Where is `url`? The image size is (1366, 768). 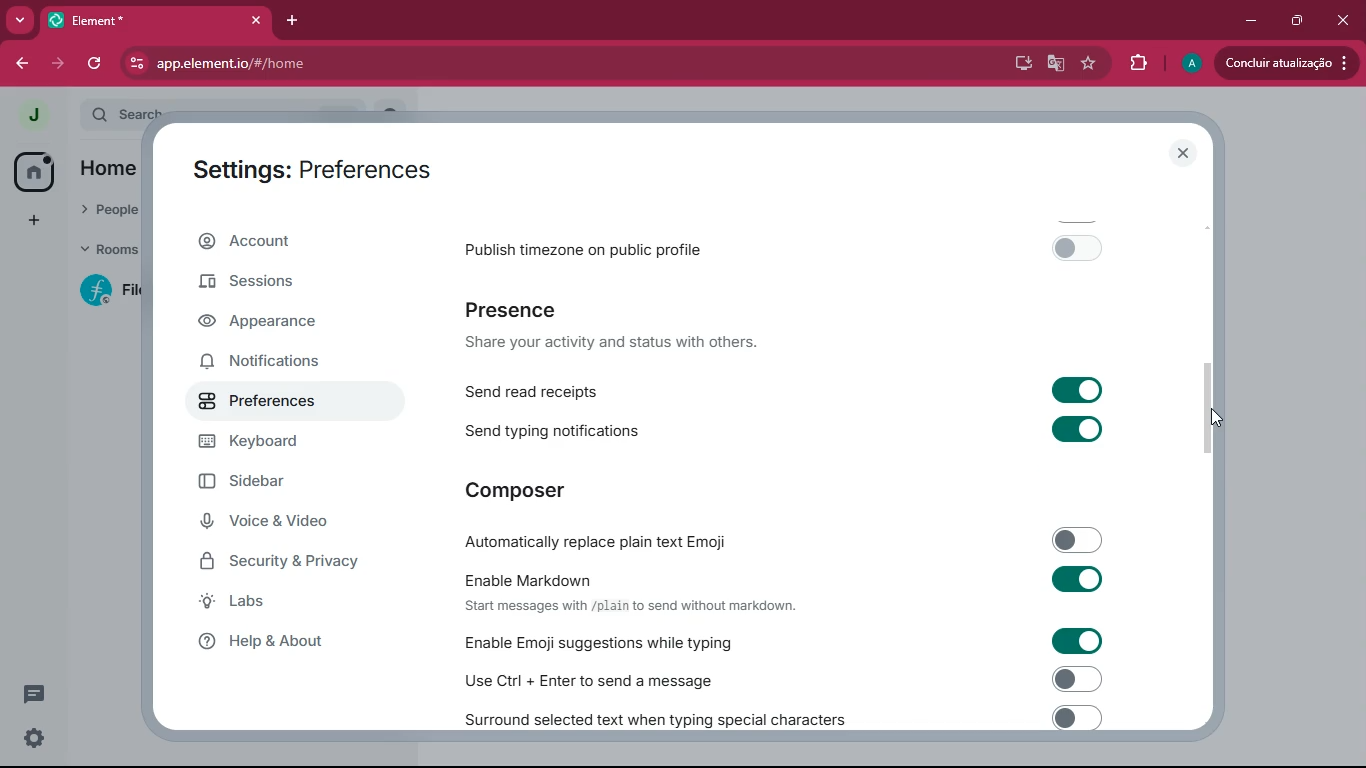 url is located at coordinates (353, 64).